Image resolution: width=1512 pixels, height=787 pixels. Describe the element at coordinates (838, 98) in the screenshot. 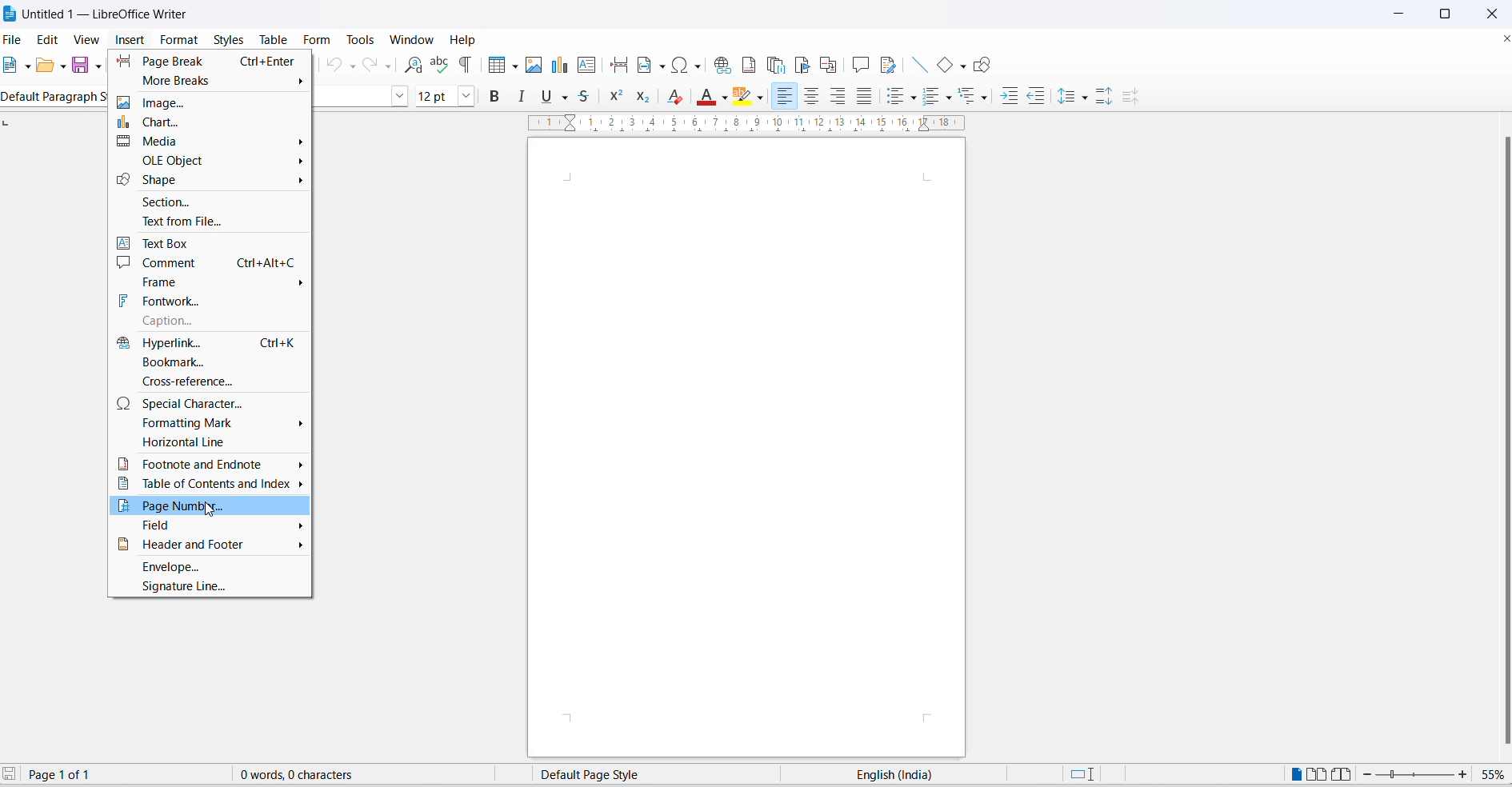

I see `text align right` at that location.